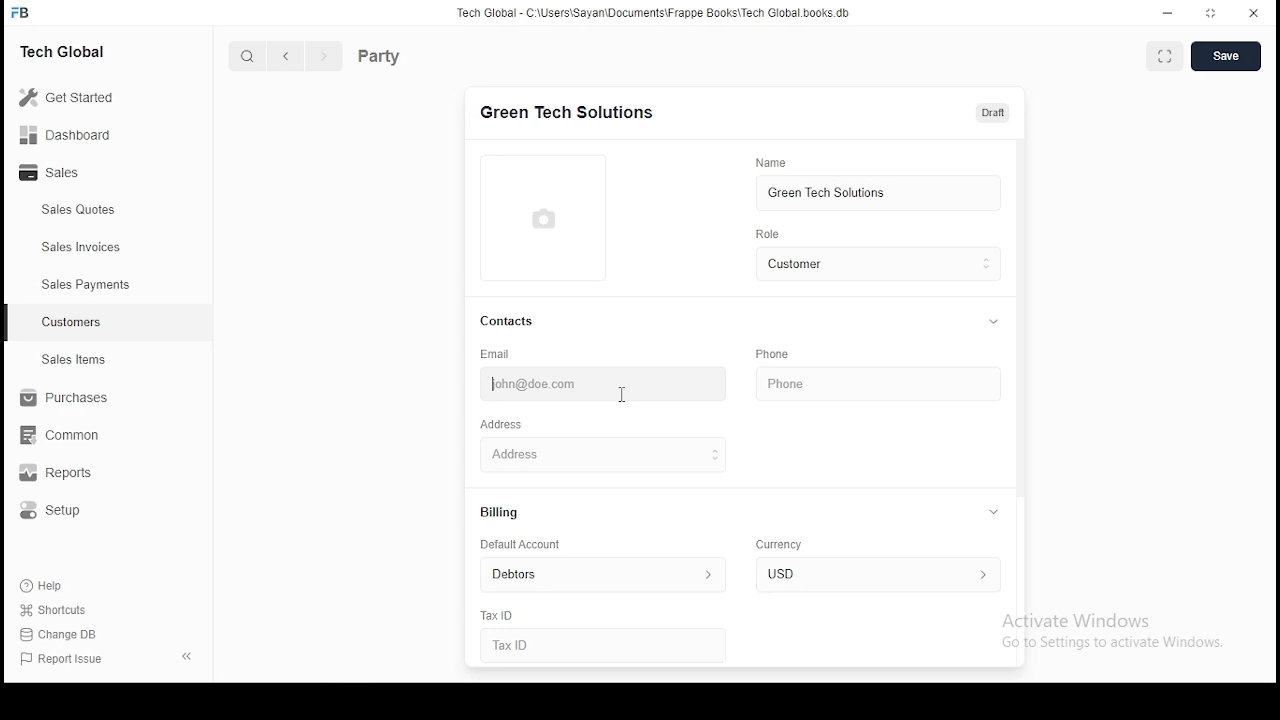 The image size is (1280, 720). Describe the element at coordinates (502, 426) in the screenshot. I see `address` at that location.